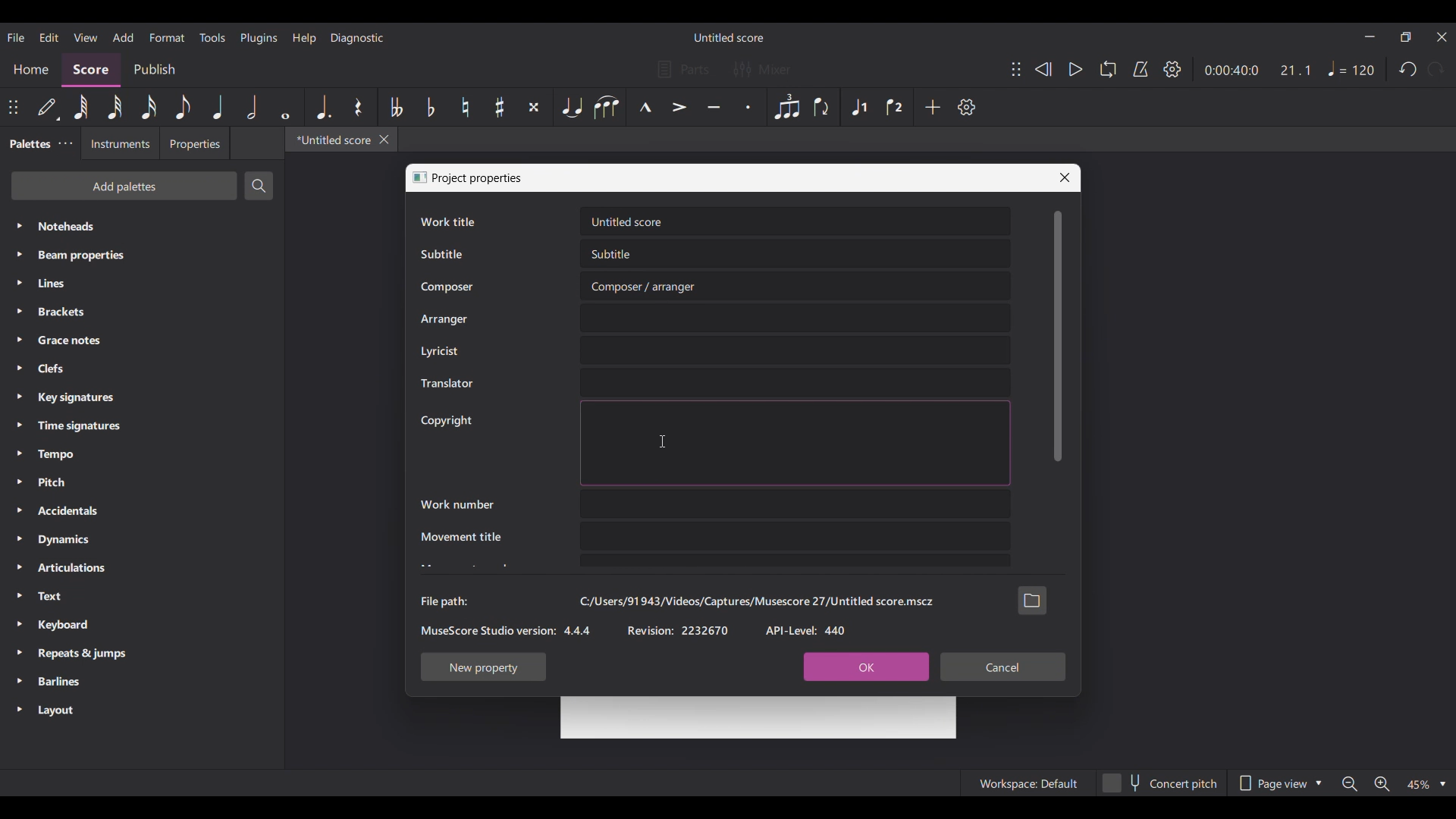  Describe the element at coordinates (1295, 70) in the screenshot. I see `Current ratio` at that location.